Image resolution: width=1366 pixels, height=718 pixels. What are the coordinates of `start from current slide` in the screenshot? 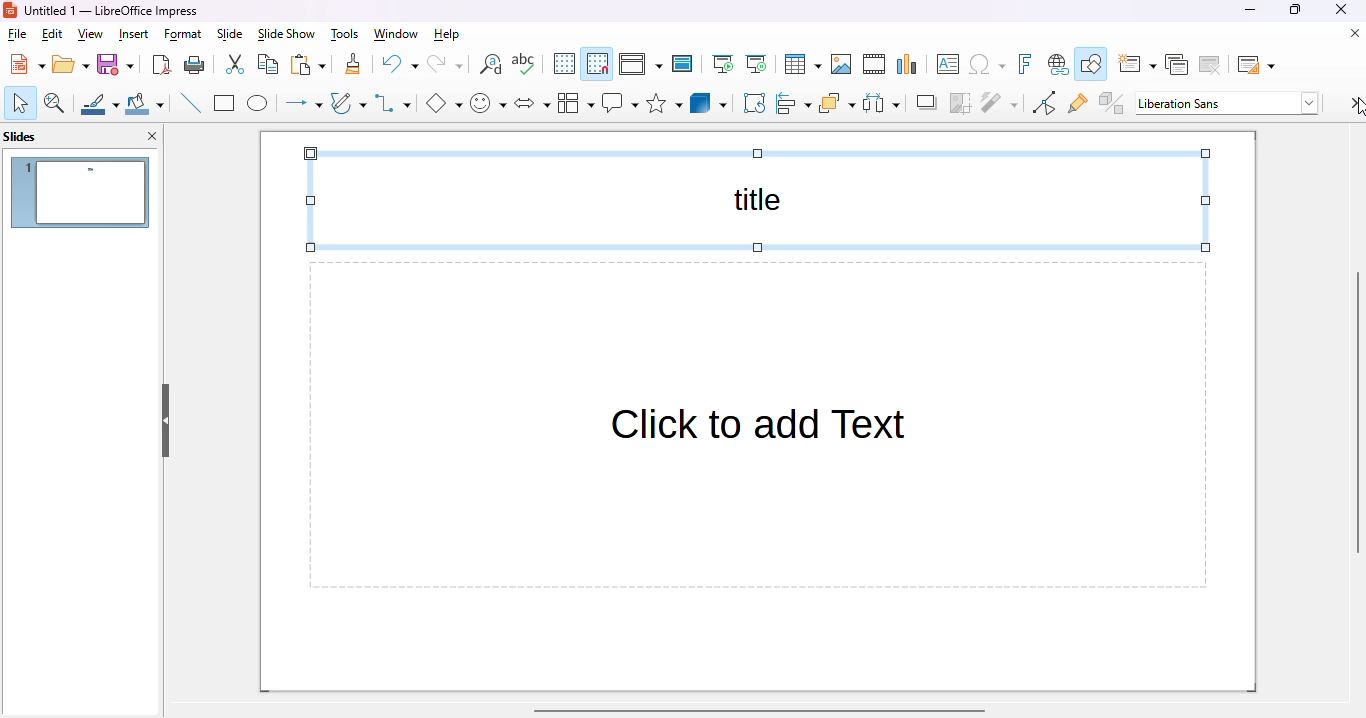 It's located at (757, 64).